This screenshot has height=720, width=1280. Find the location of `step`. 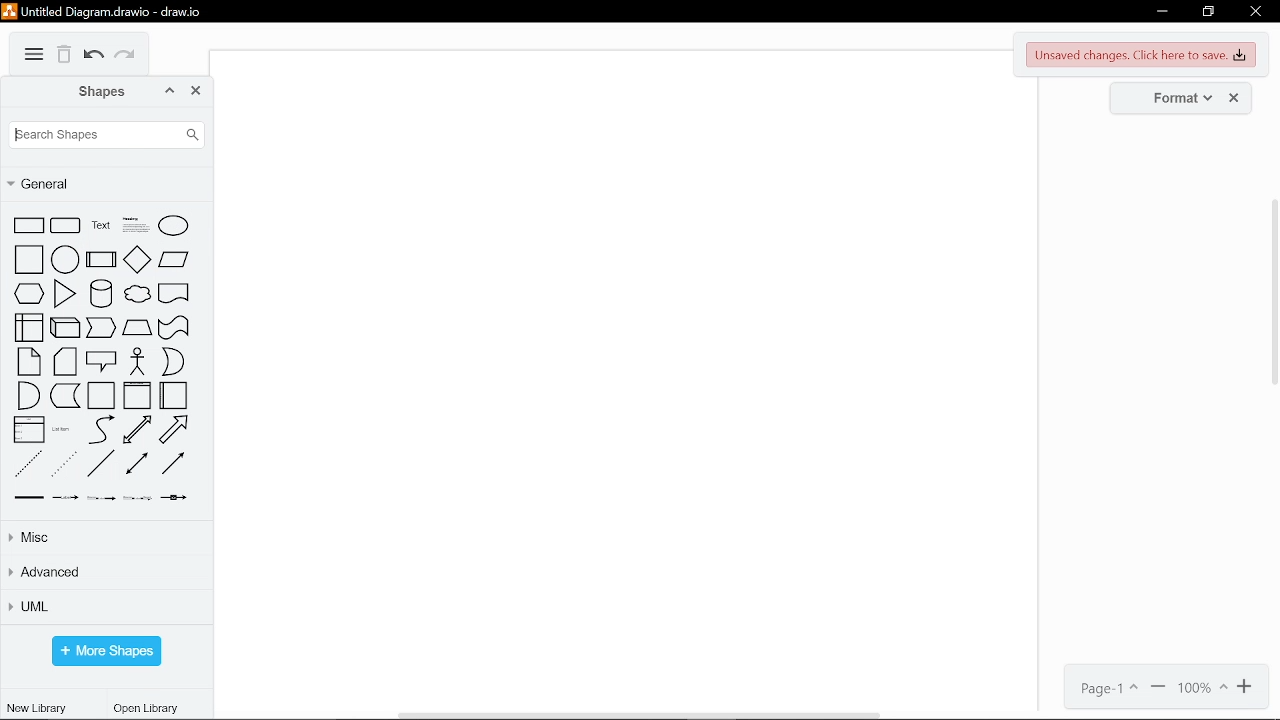

step is located at coordinates (102, 329).